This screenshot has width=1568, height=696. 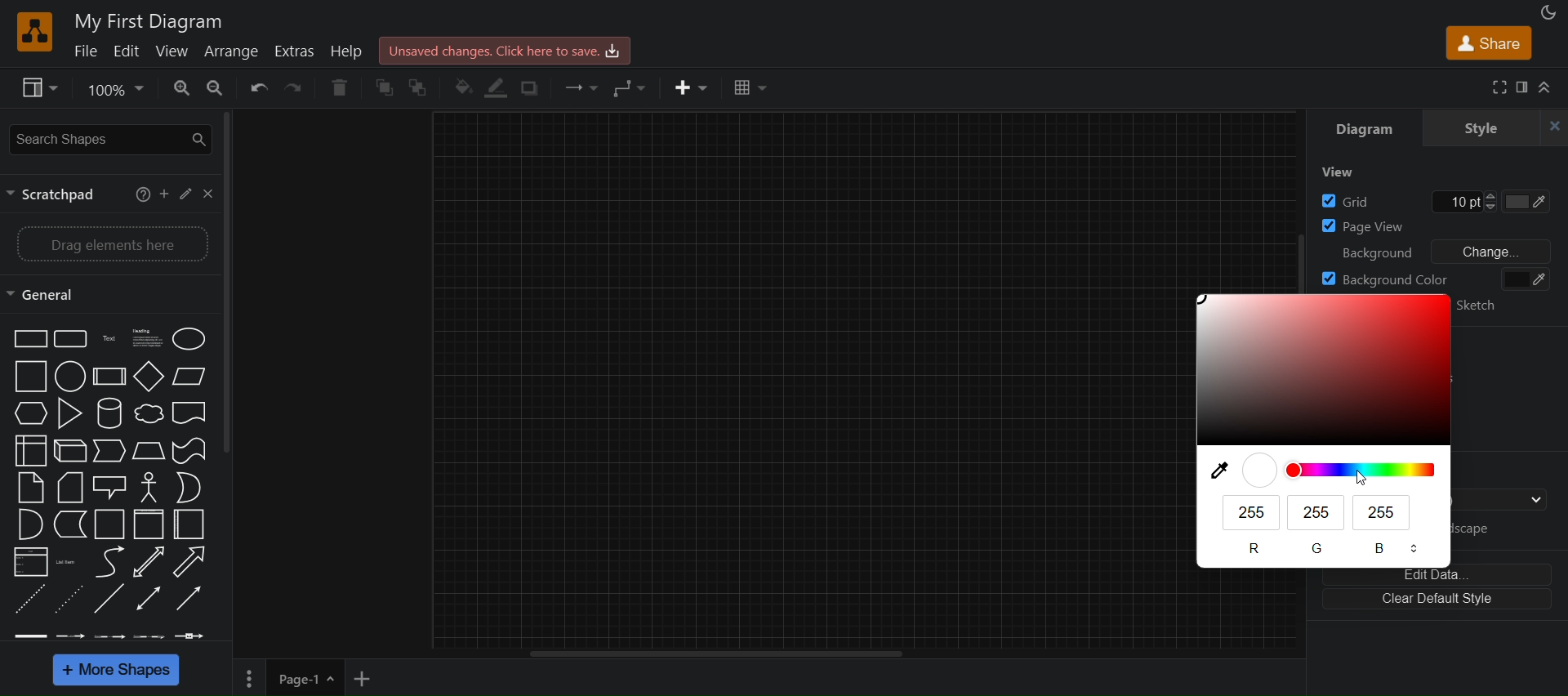 I want to click on share, so click(x=1486, y=44).